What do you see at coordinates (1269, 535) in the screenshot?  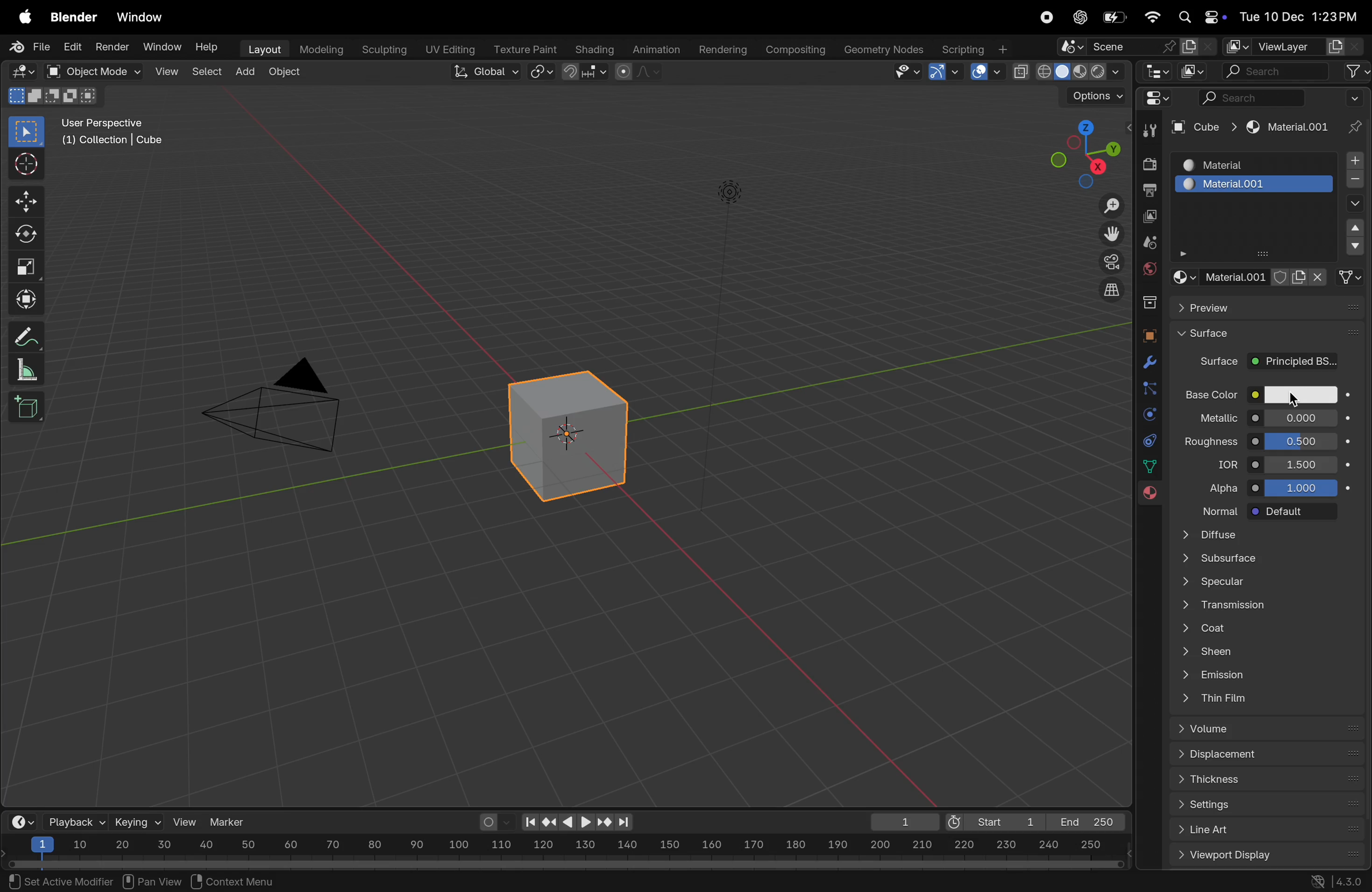 I see `diffuse` at bounding box center [1269, 535].